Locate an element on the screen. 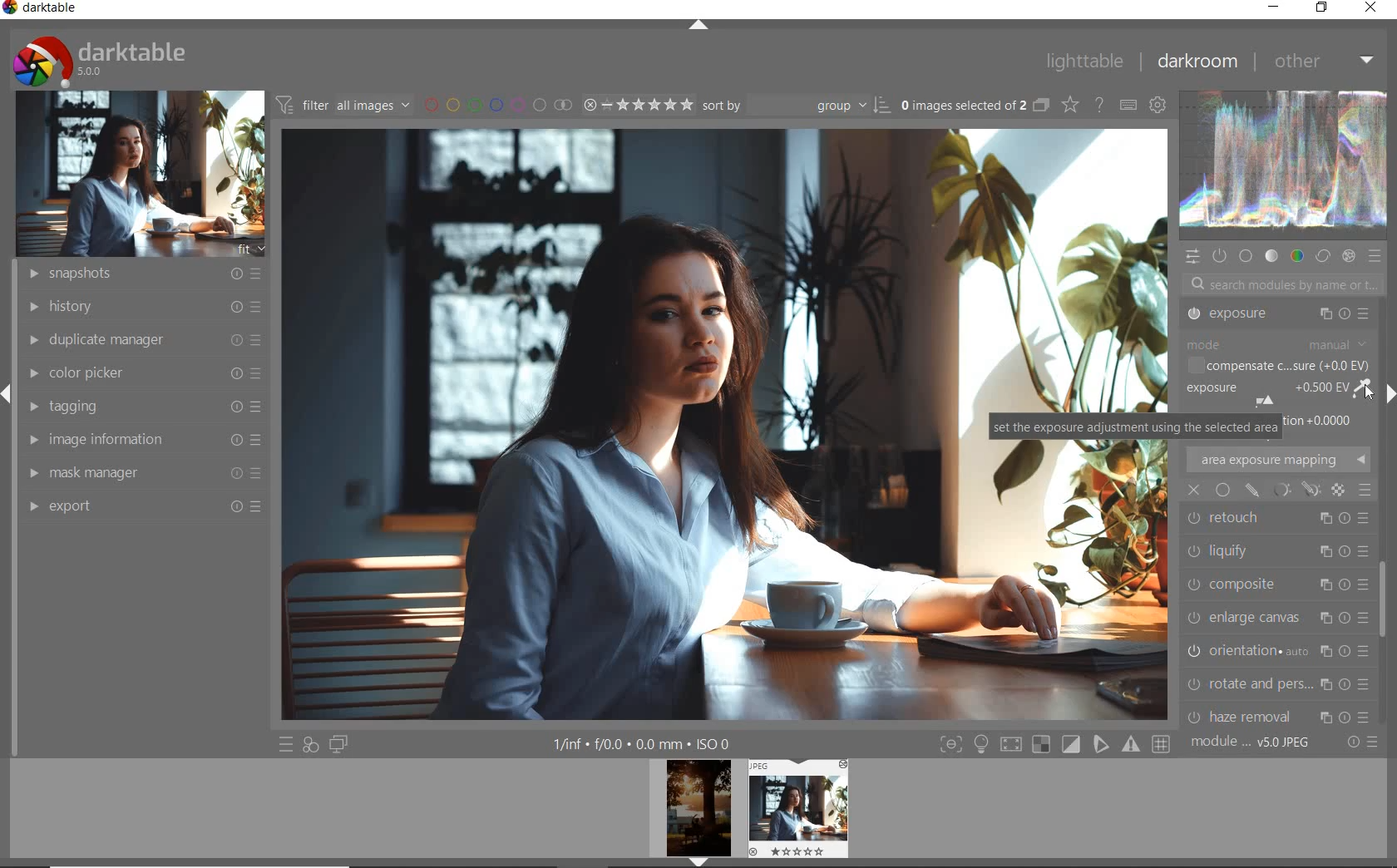  IMAGE PREVIEW is located at coordinates (698, 814).